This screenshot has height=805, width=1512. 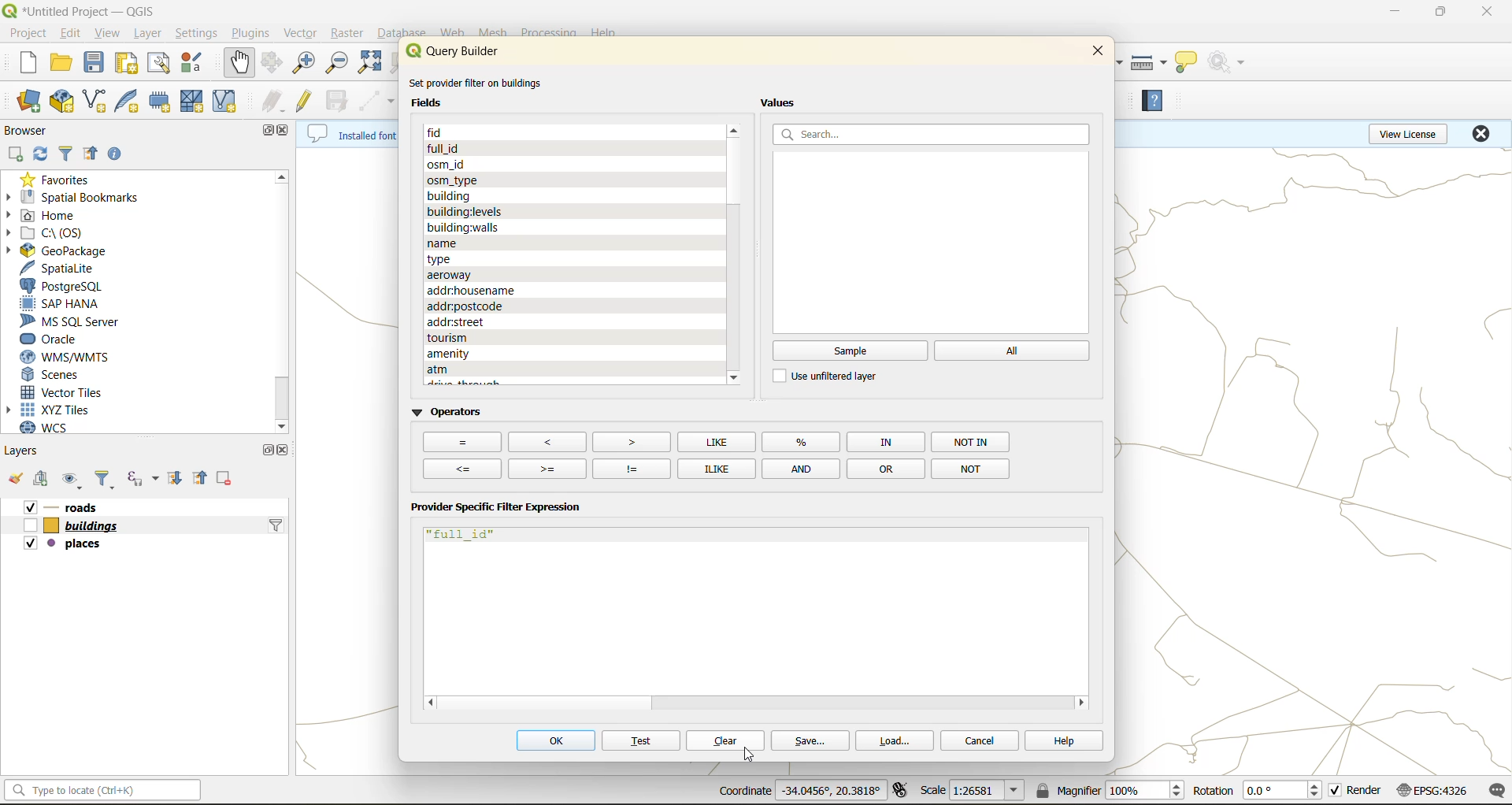 I want to click on maximize, so click(x=265, y=130).